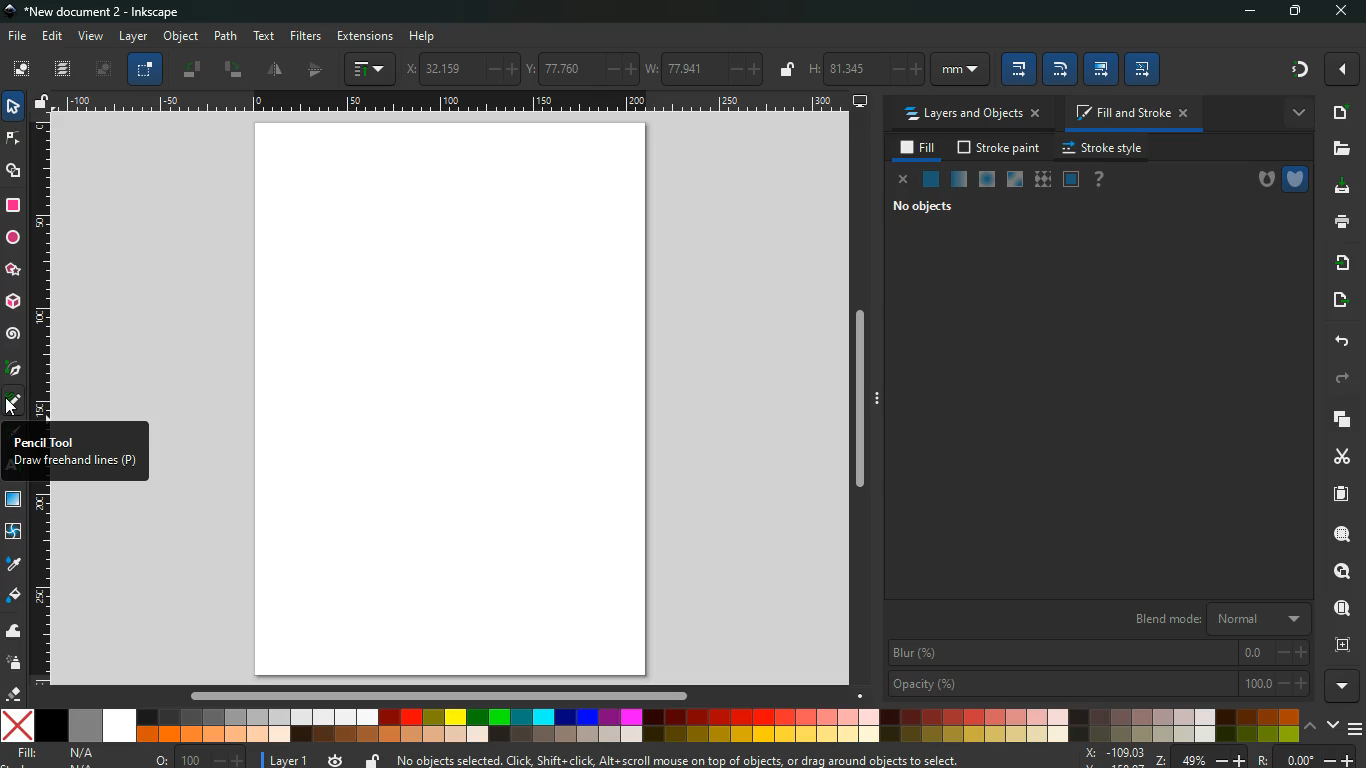 The width and height of the screenshot is (1366, 768). What do you see at coordinates (1099, 683) in the screenshot?
I see `opacity` at bounding box center [1099, 683].